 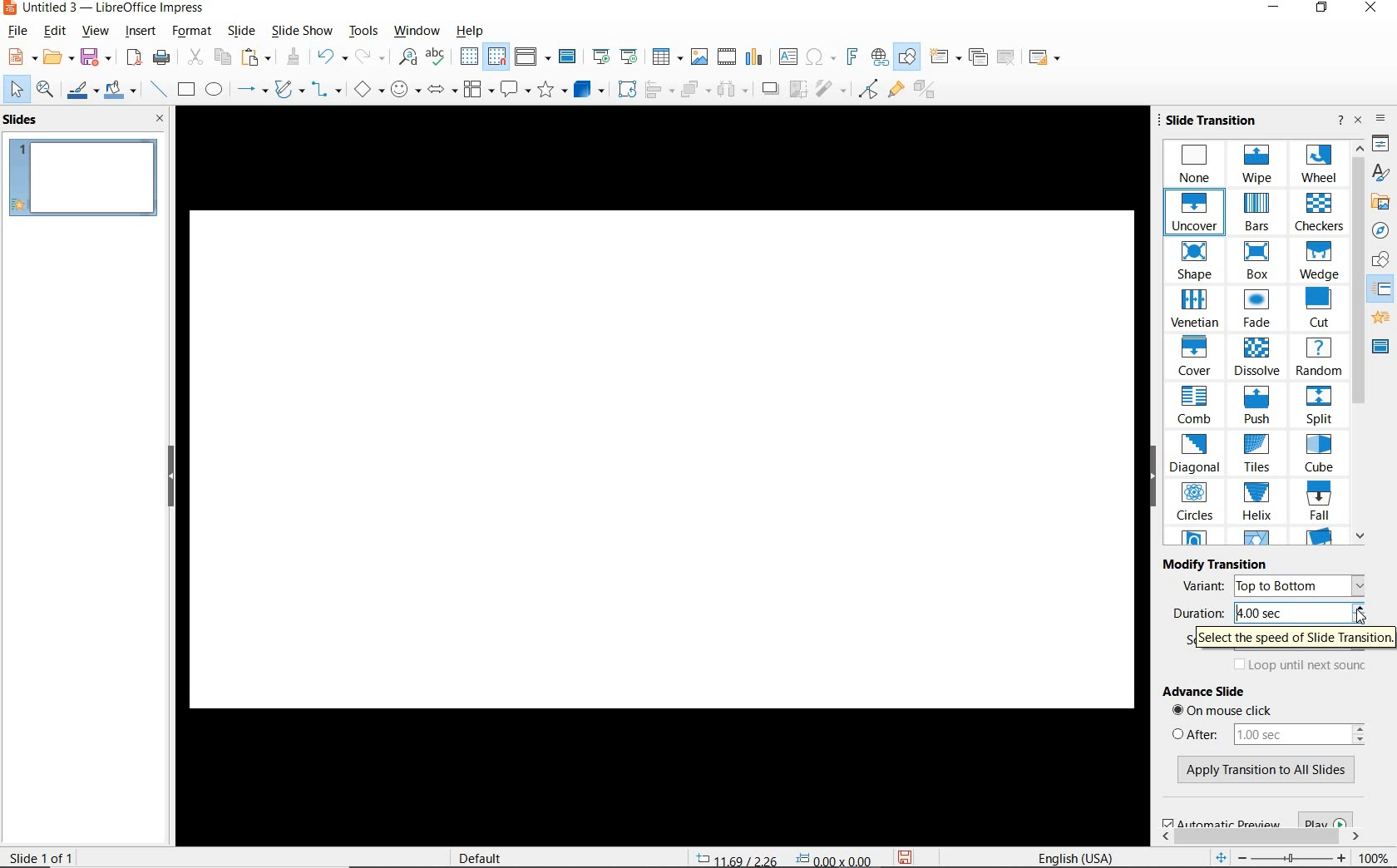 I want to click on START FROM CURRENT SLIDE, so click(x=631, y=57).